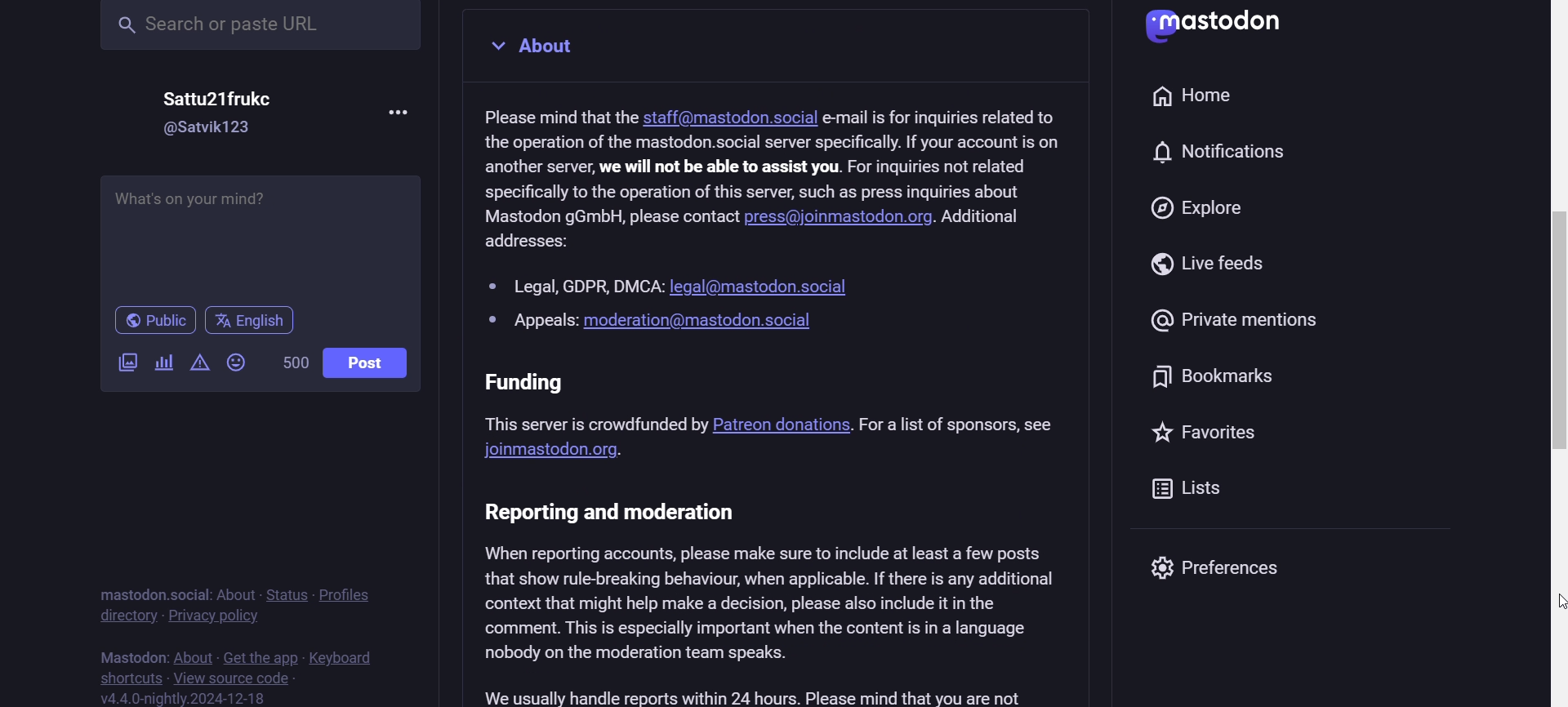 The height and width of the screenshot is (707, 1568). Describe the element at coordinates (785, 167) in the screenshot. I see `about mastodon` at that location.